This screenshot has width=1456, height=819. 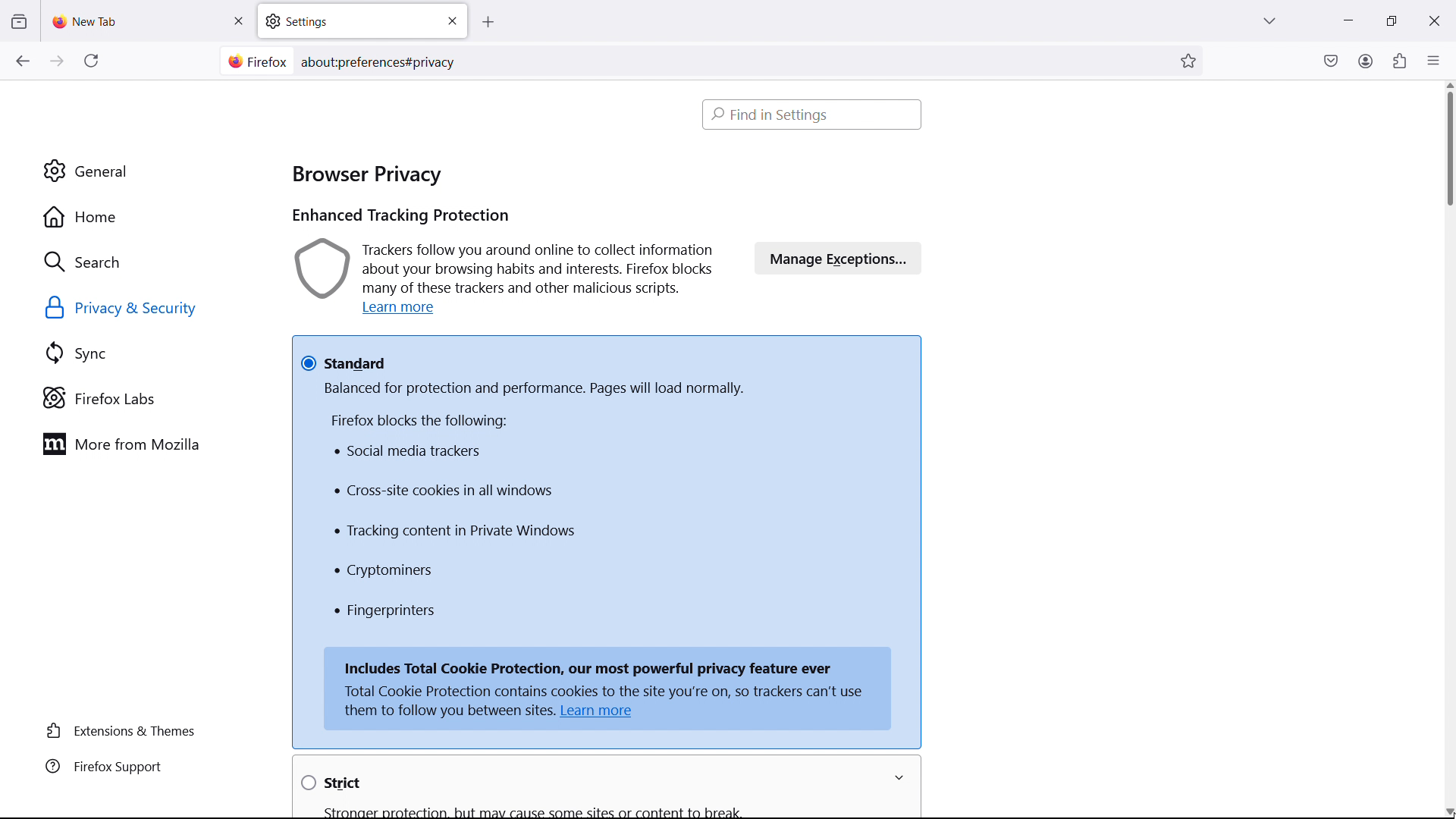 What do you see at coordinates (1269, 19) in the screenshot?
I see `list all tabs` at bounding box center [1269, 19].